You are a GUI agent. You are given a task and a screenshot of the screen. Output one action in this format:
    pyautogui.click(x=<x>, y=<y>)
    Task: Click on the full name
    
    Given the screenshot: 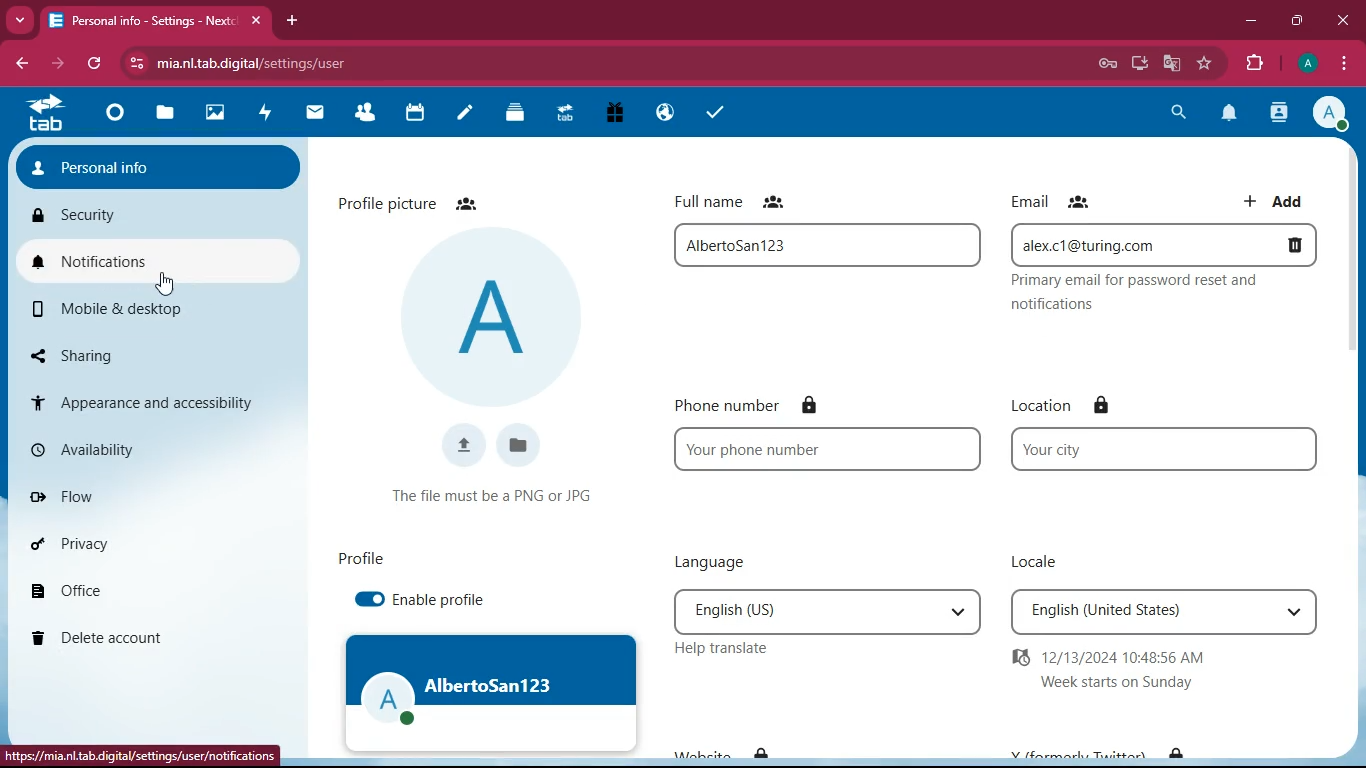 What is the action you would take?
    pyautogui.click(x=705, y=199)
    